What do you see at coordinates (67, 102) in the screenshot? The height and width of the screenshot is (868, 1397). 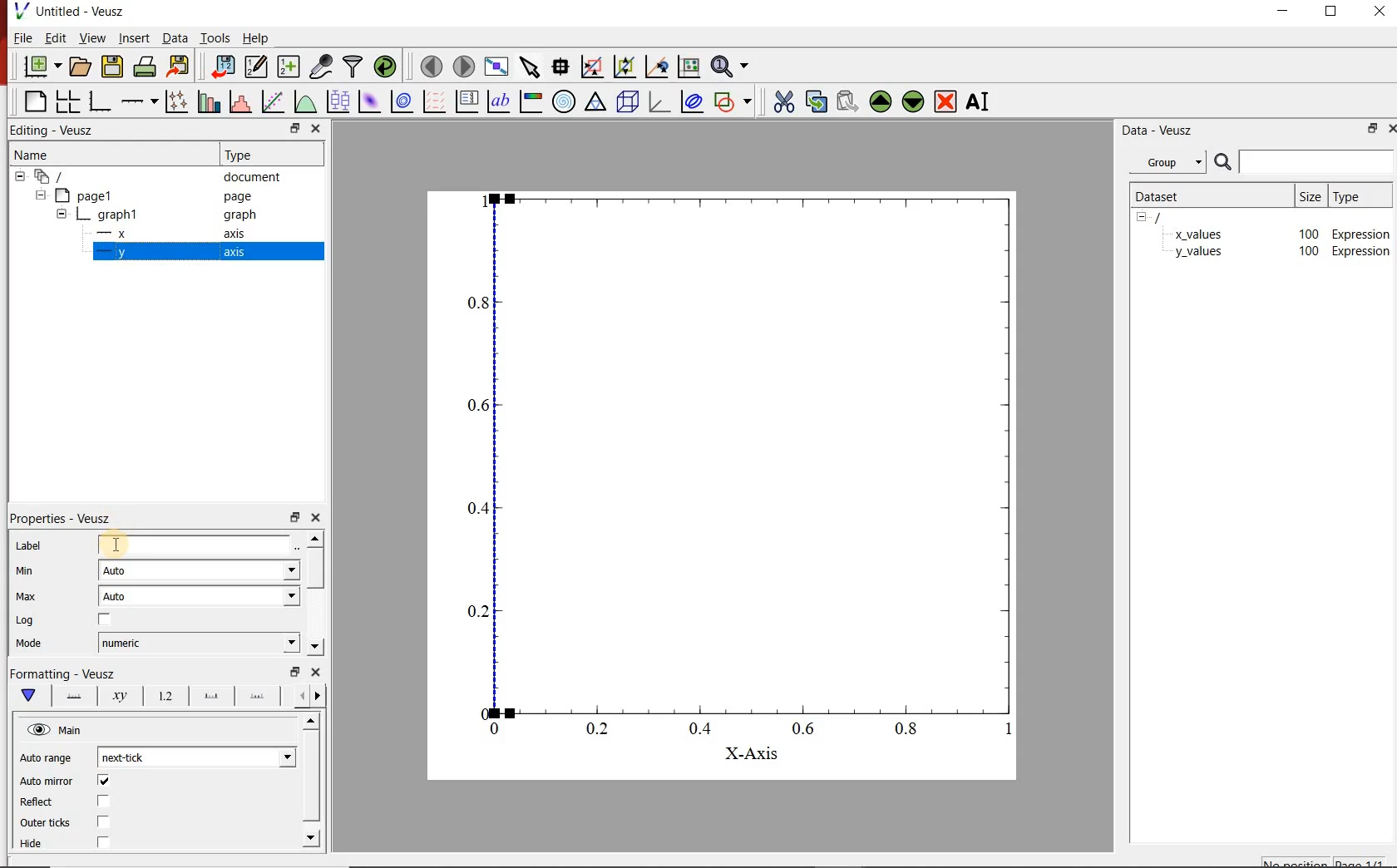 I see `arrange graphs in a grid` at bounding box center [67, 102].